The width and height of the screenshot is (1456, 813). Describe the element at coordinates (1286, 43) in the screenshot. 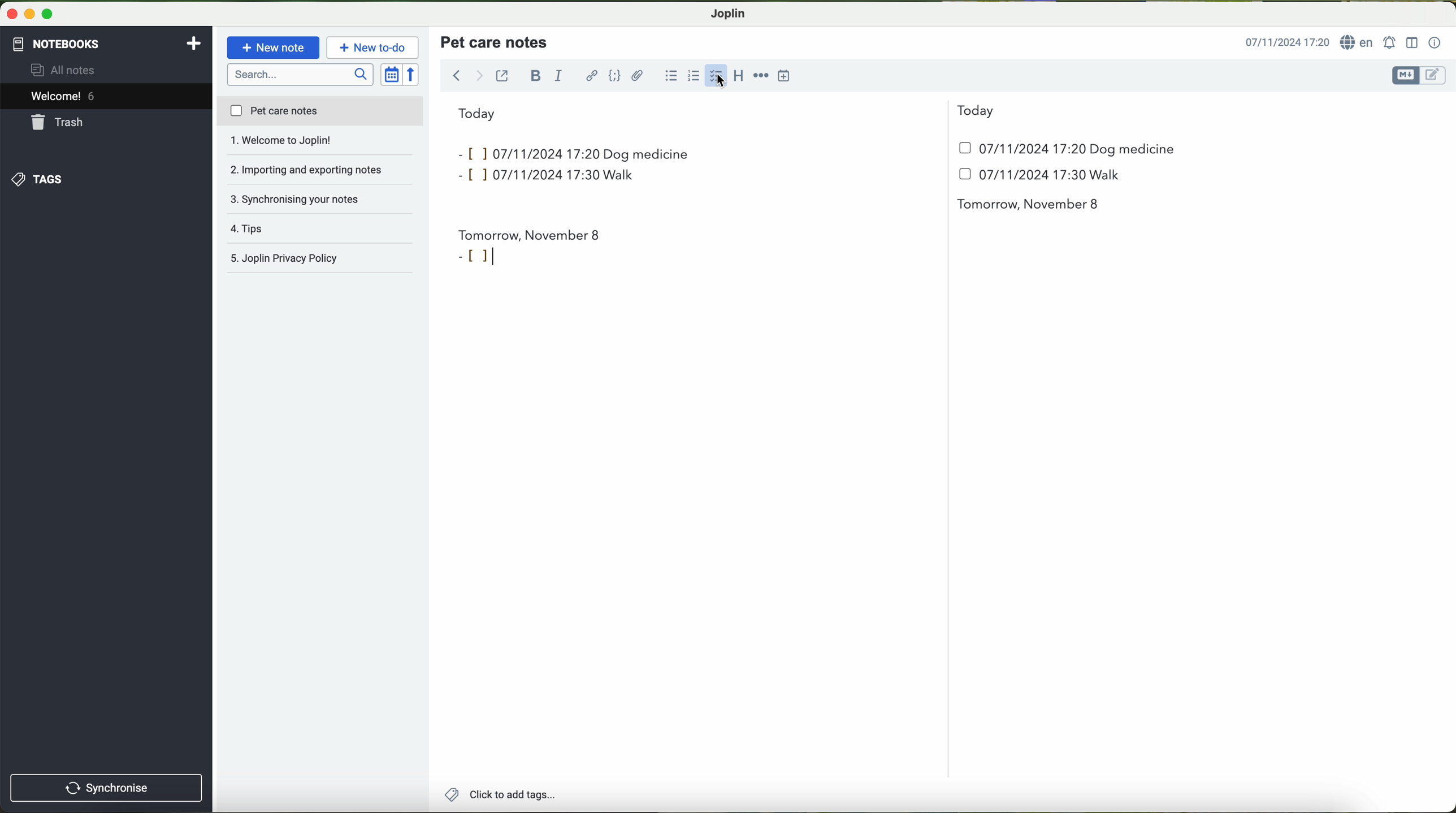

I see `hour and date` at that location.